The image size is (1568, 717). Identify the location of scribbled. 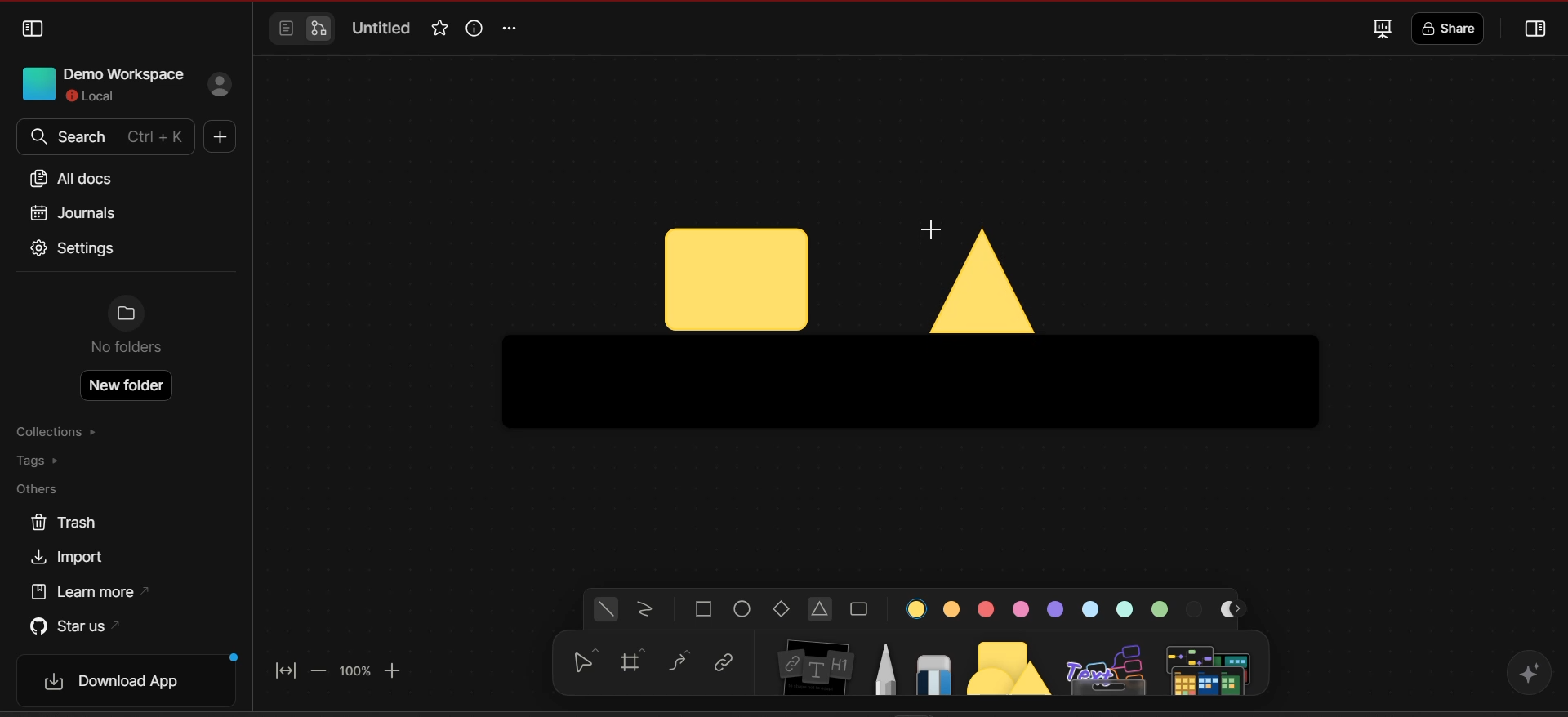
(645, 611).